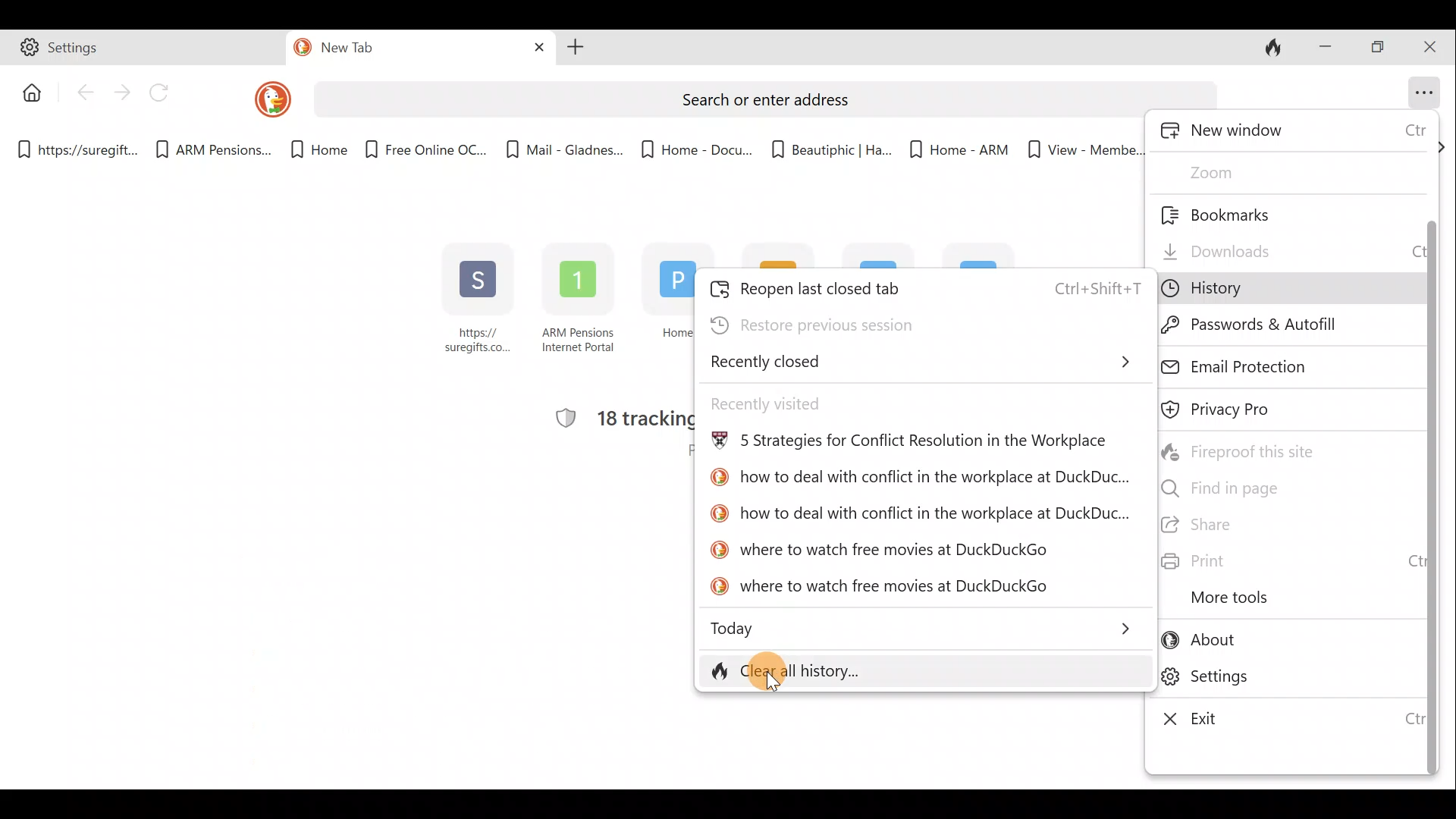  What do you see at coordinates (883, 547) in the screenshot?
I see `where to watch free movies at DuckDuckGo` at bounding box center [883, 547].